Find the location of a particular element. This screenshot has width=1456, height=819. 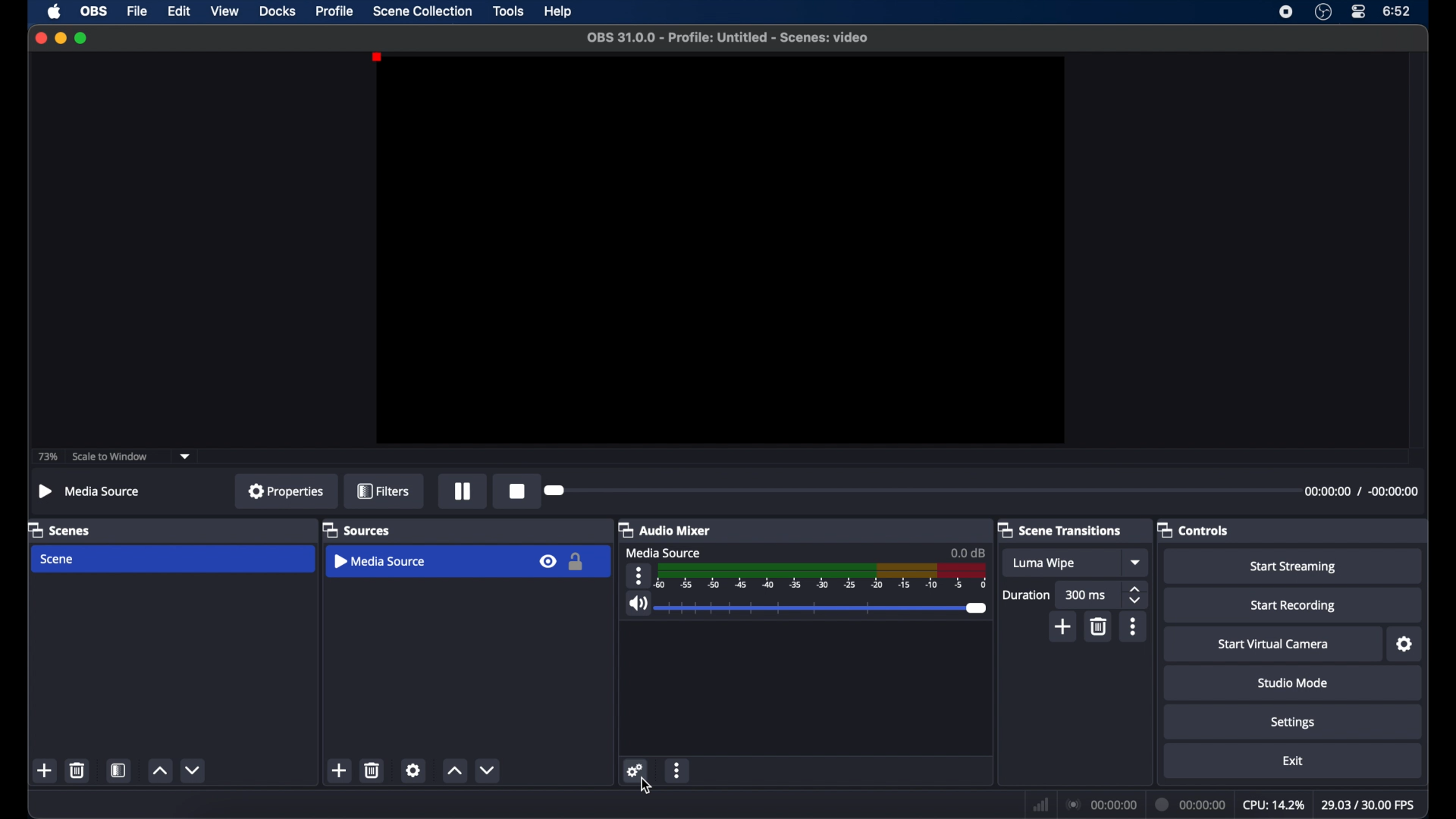

file is located at coordinates (137, 12).